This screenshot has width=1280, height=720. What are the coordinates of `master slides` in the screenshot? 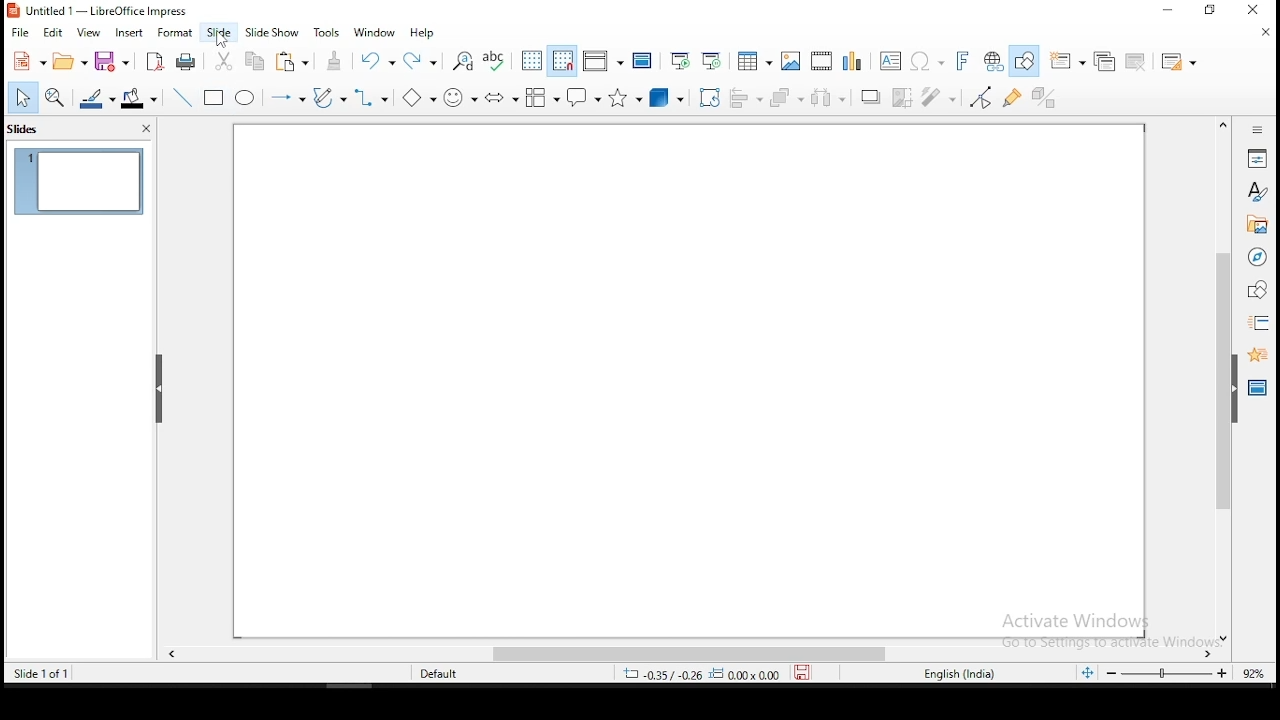 It's located at (1257, 388).